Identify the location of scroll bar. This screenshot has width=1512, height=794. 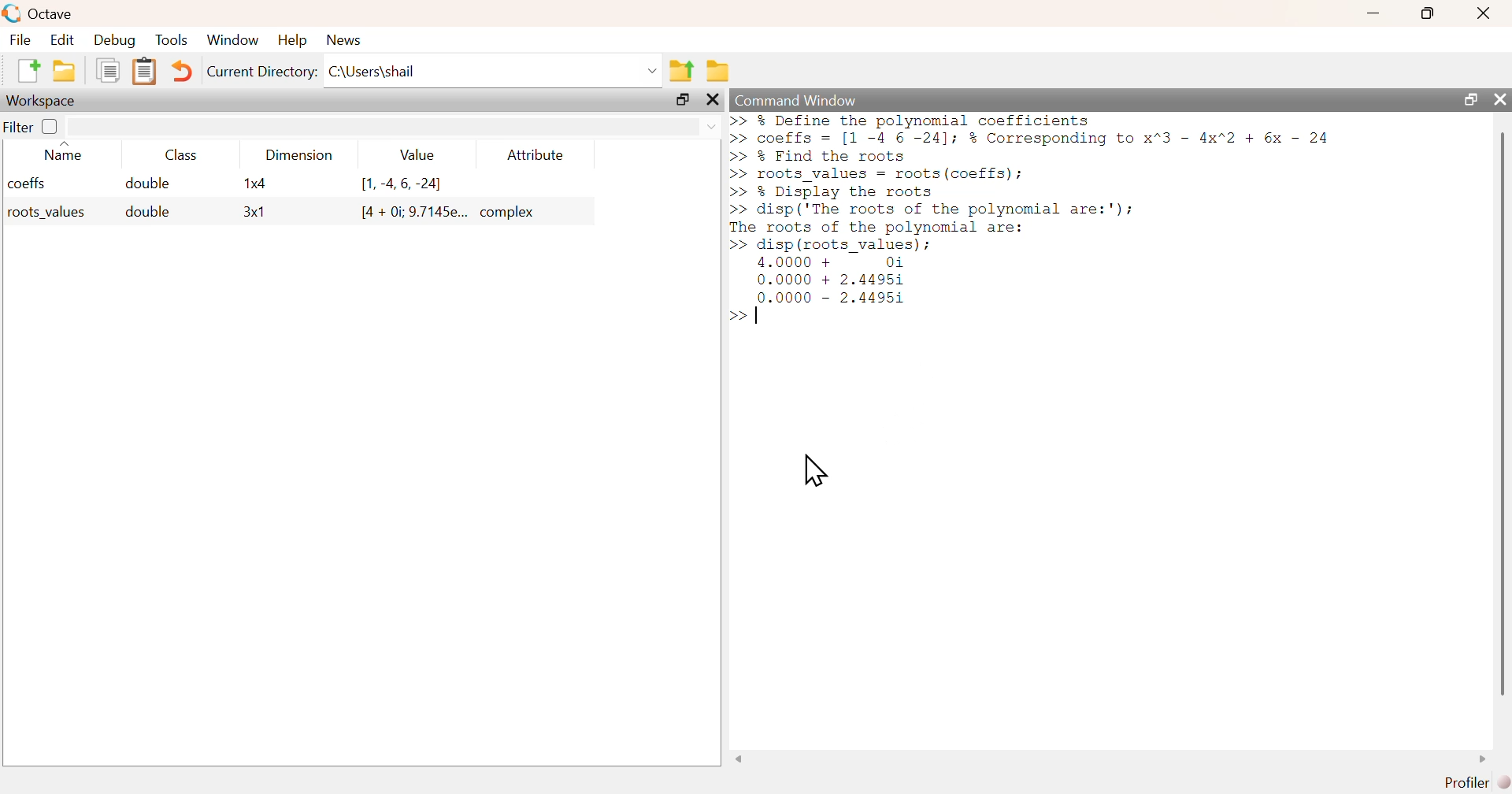
(1499, 413).